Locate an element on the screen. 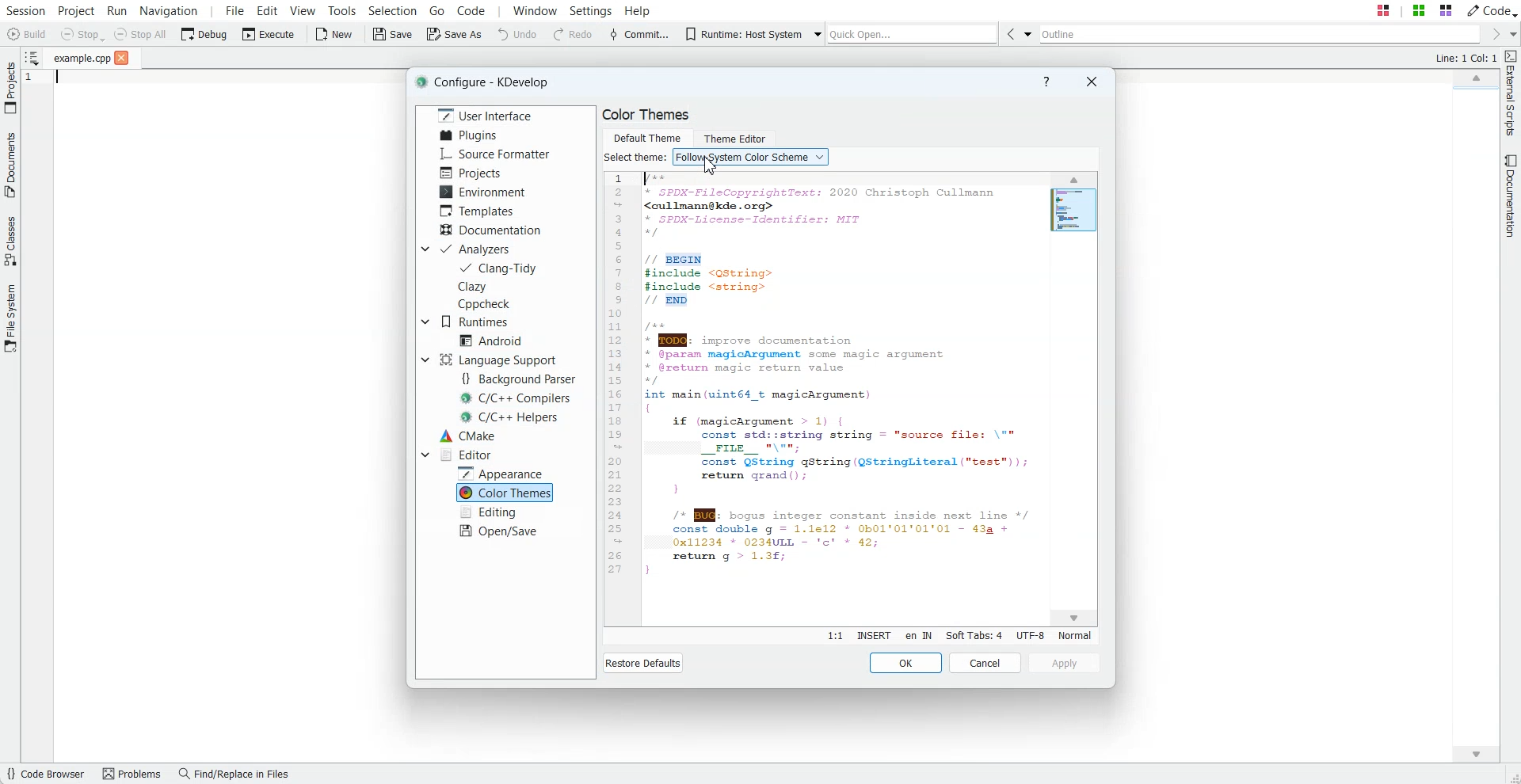 Image resolution: width=1521 pixels, height=784 pixels. File Overview is located at coordinates (1473, 91).